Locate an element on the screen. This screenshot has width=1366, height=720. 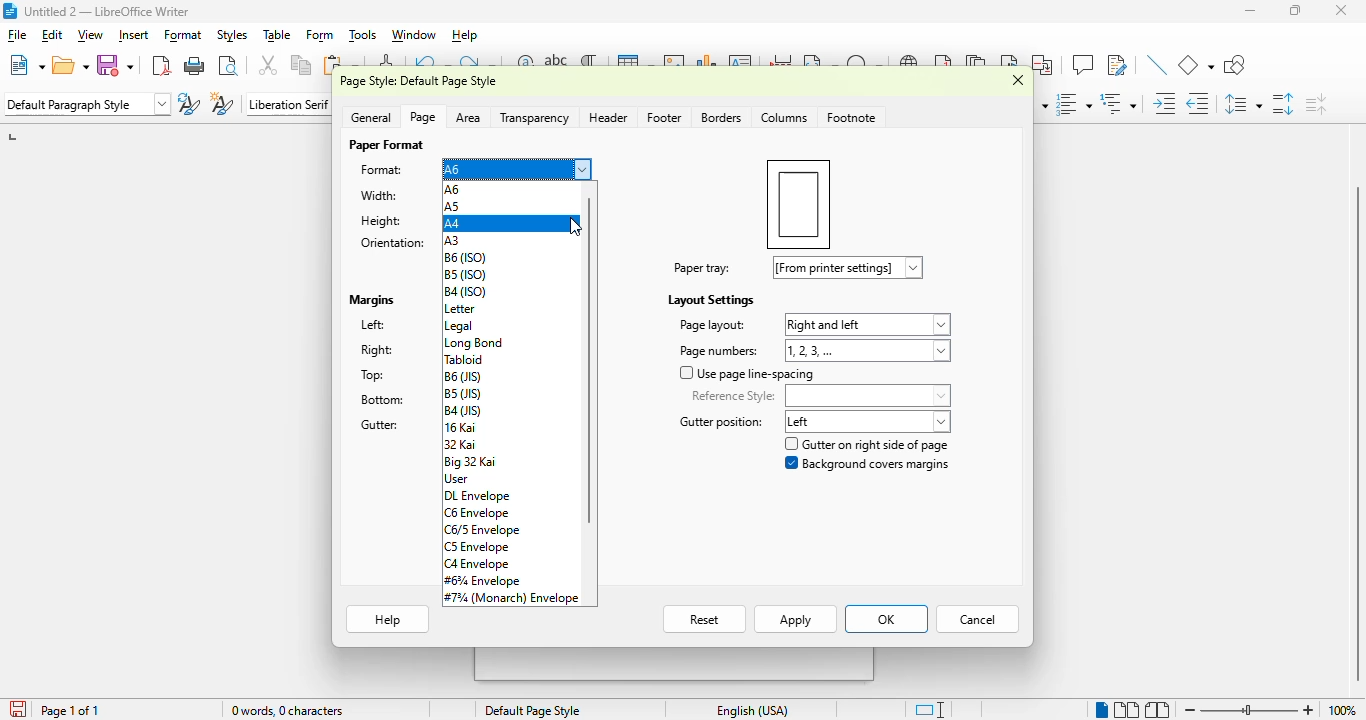
paper format is located at coordinates (386, 145).